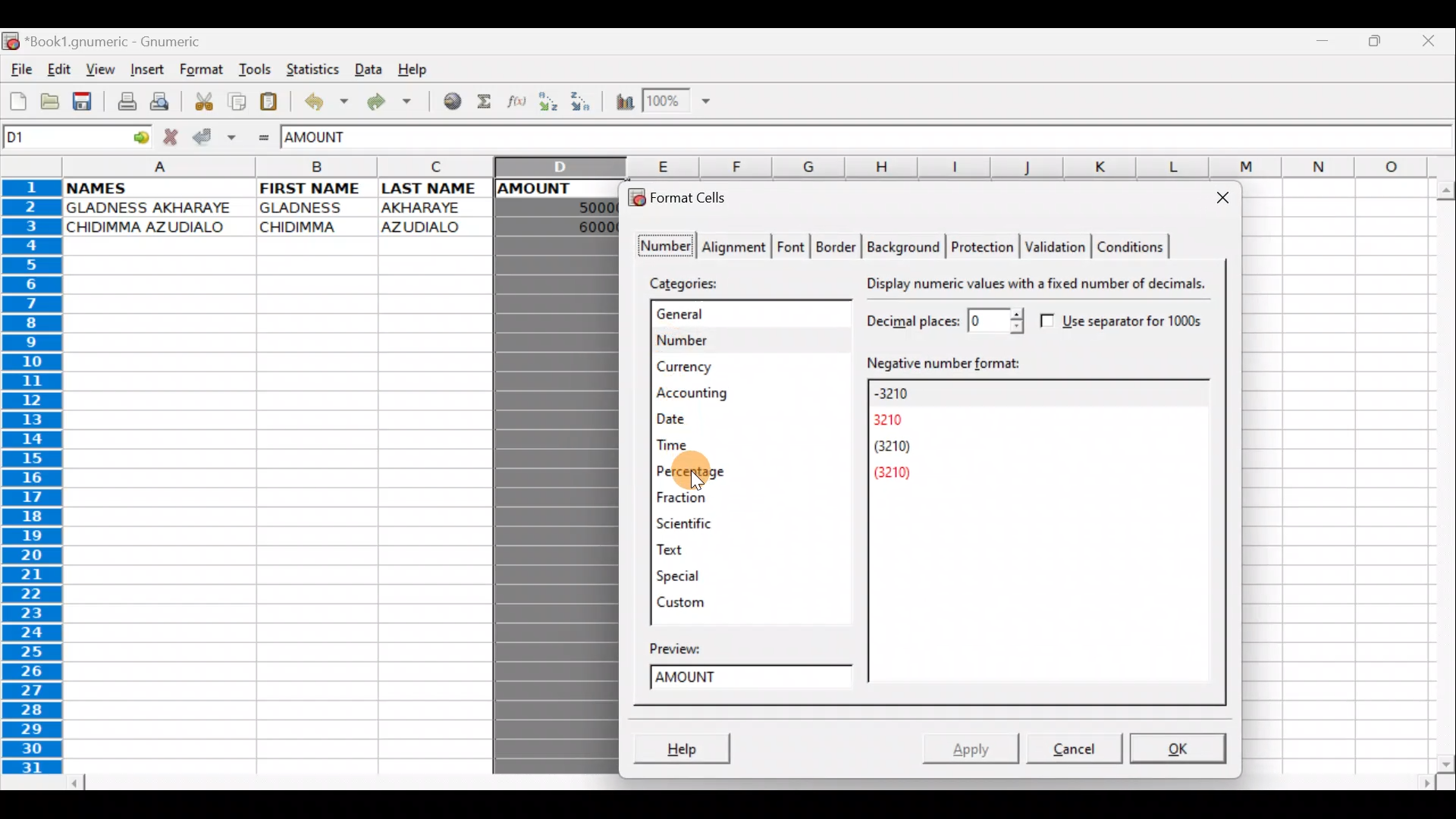 Image resolution: width=1456 pixels, height=819 pixels. Describe the element at coordinates (792, 245) in the screenshot. I see `Font` at that location.